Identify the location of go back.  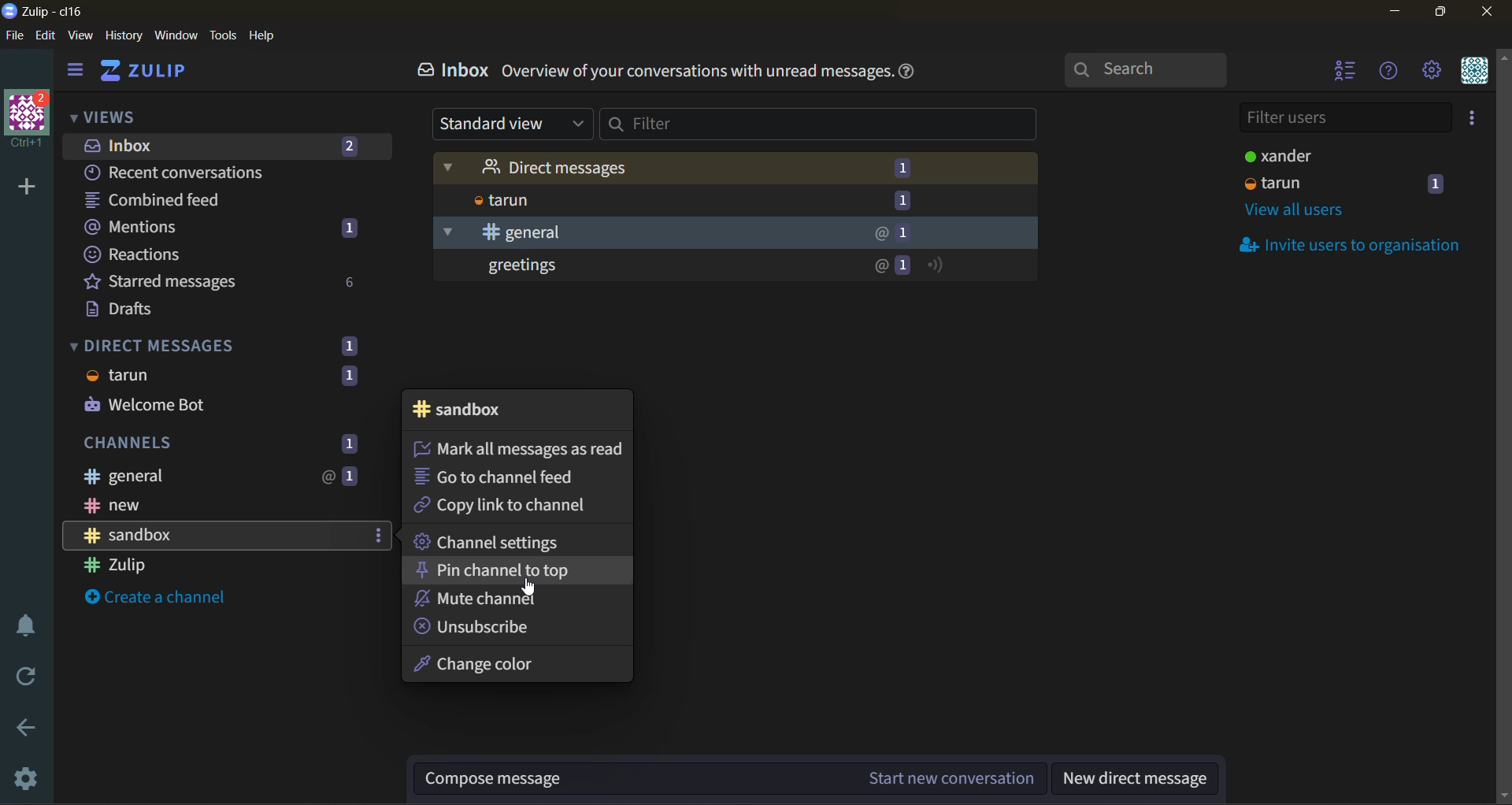
(24, 727).